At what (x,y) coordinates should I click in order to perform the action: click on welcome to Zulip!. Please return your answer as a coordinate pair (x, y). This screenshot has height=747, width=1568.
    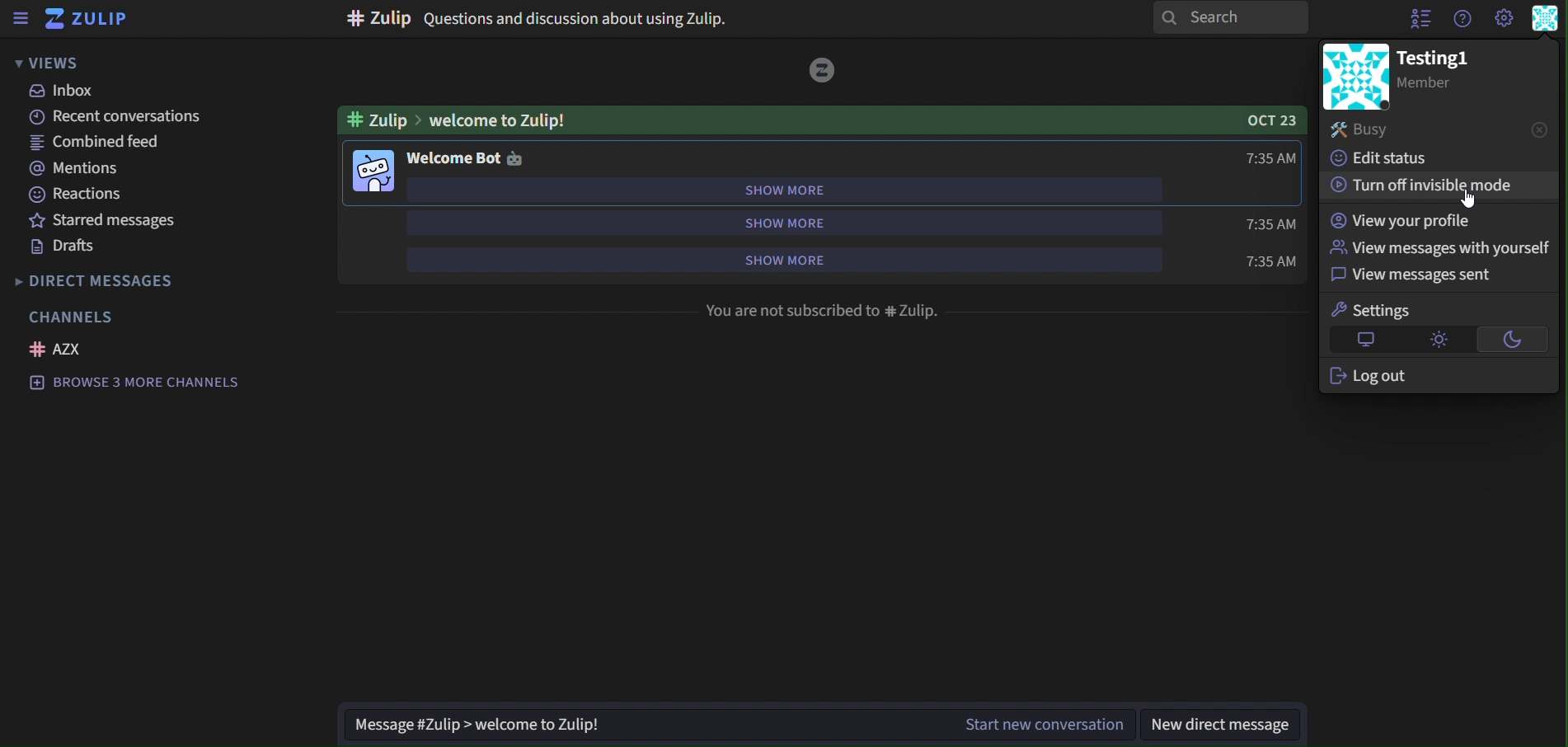
    Looking at the image, I should click on (505, 120).